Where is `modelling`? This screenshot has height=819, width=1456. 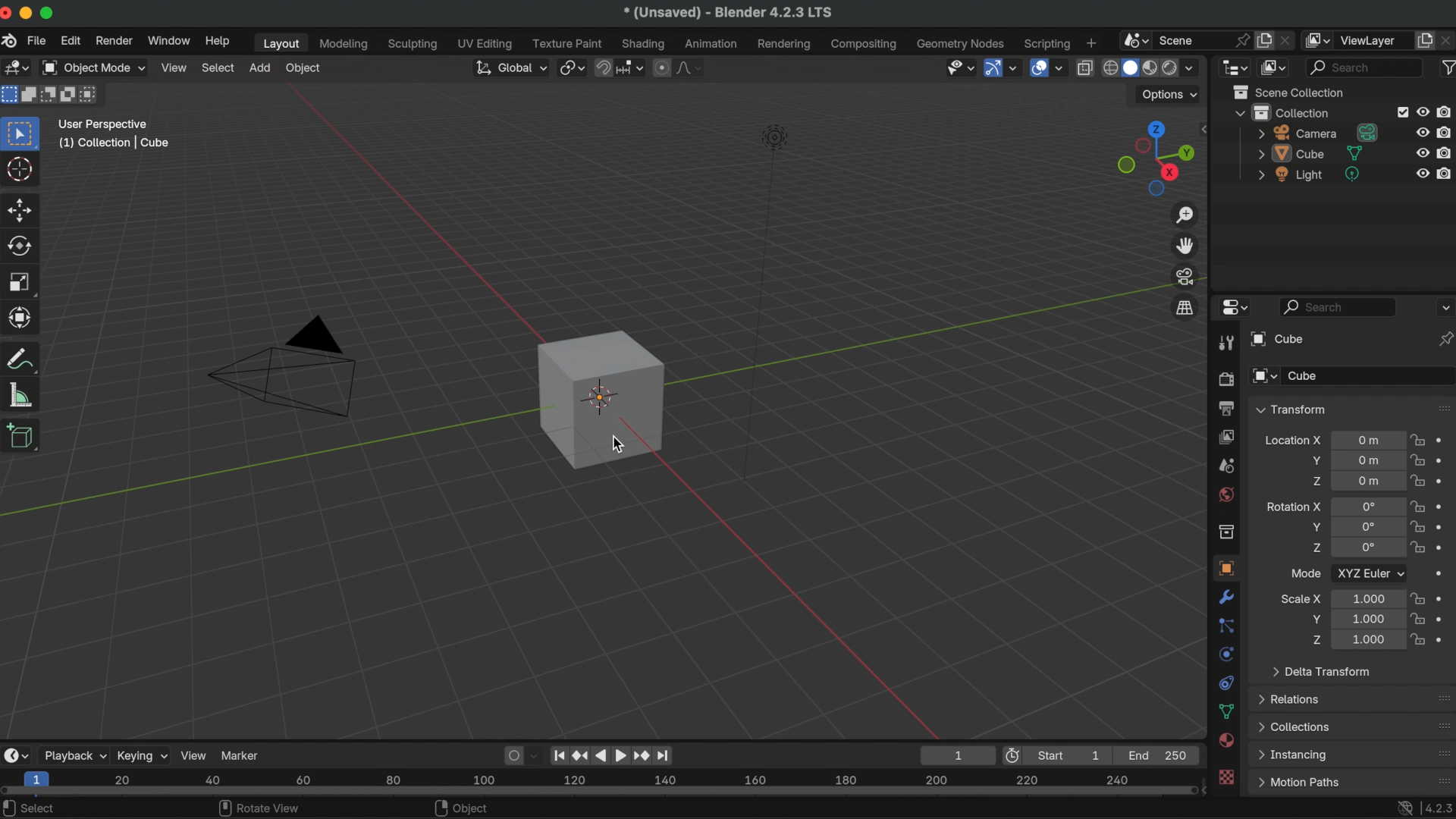
modelling is located at coordinates (344, 45).